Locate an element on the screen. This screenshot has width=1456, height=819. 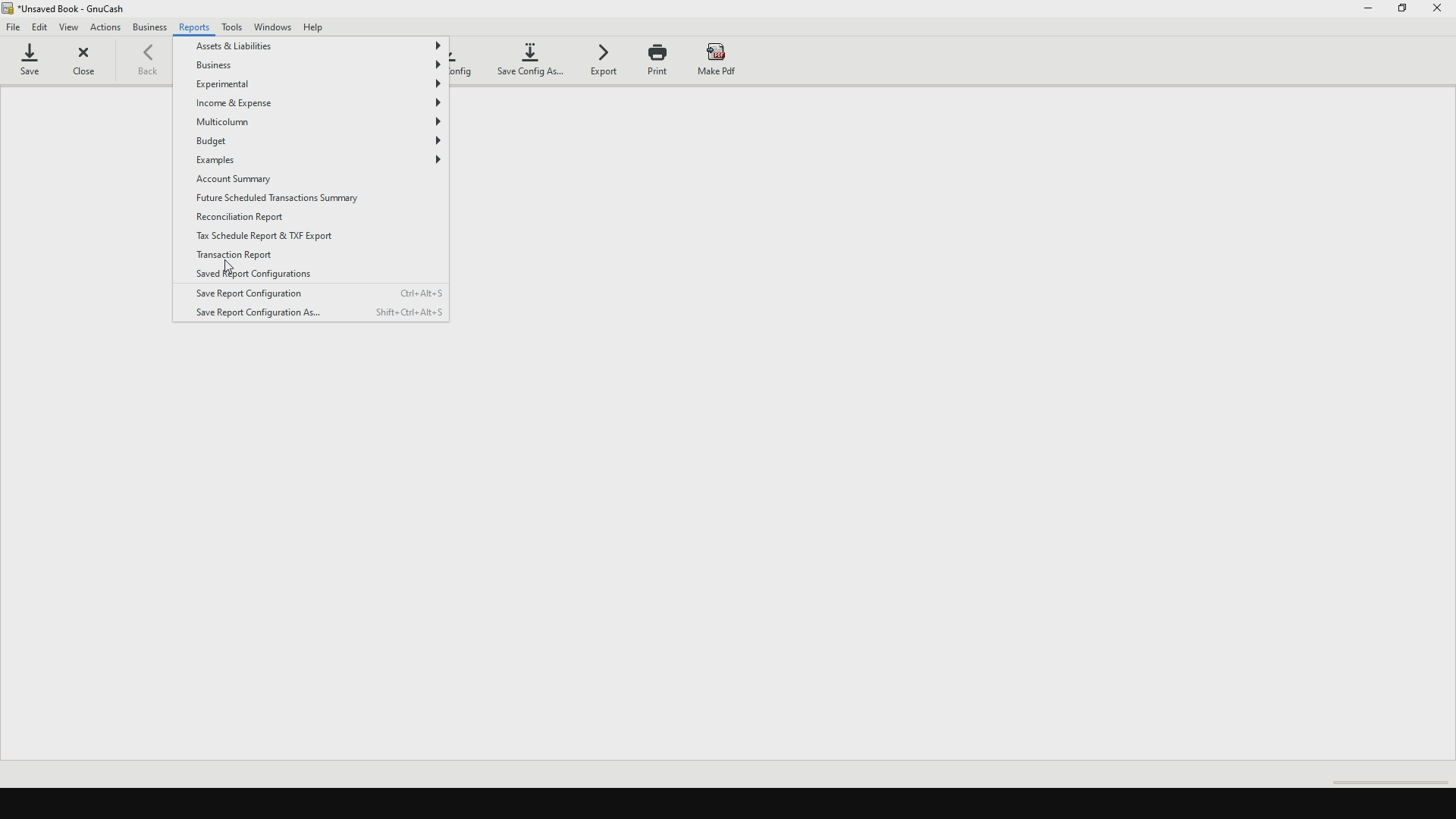
business is located at coordinates (150, 30).